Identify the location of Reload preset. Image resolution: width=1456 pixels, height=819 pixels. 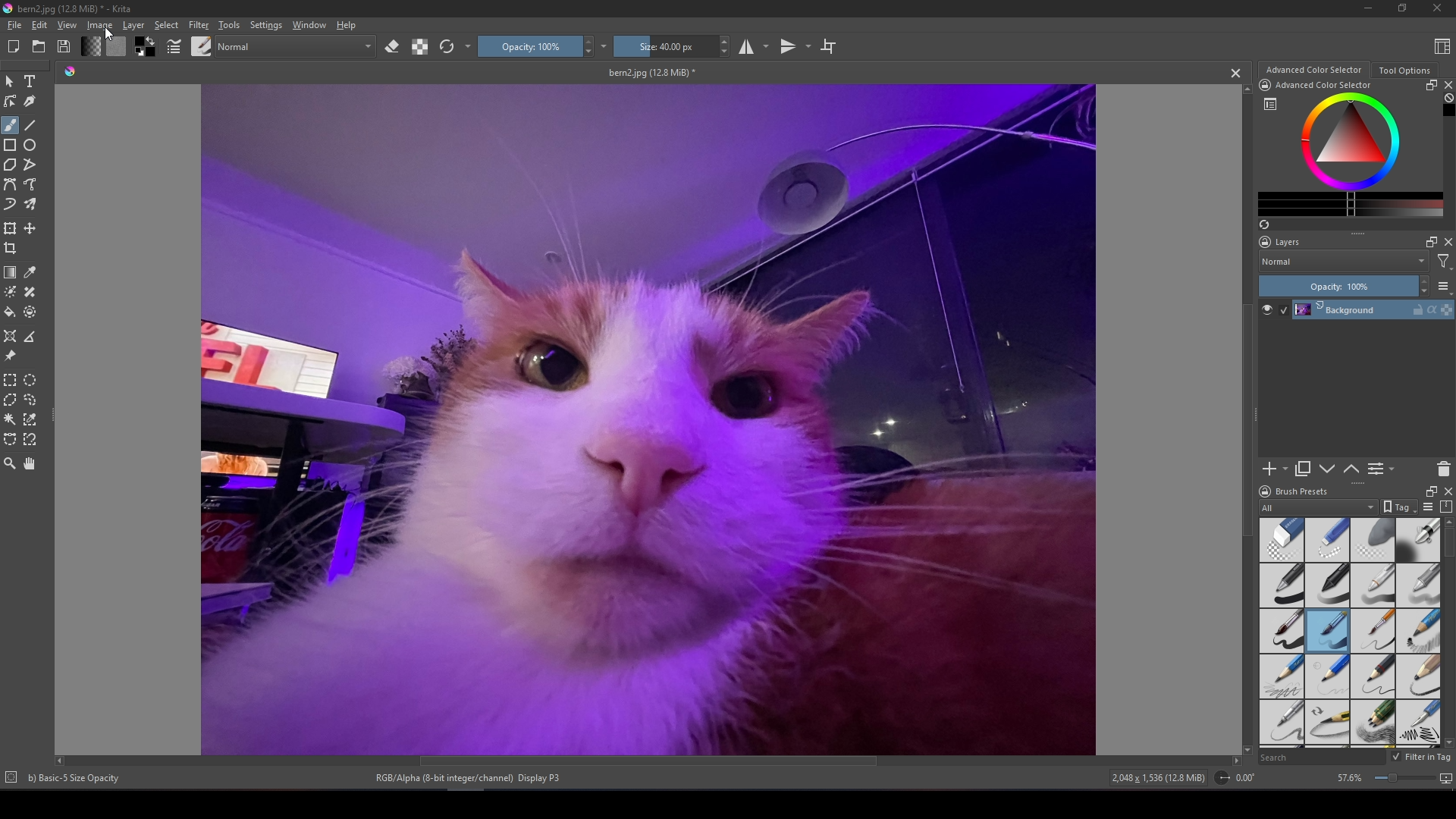
(447, 47).